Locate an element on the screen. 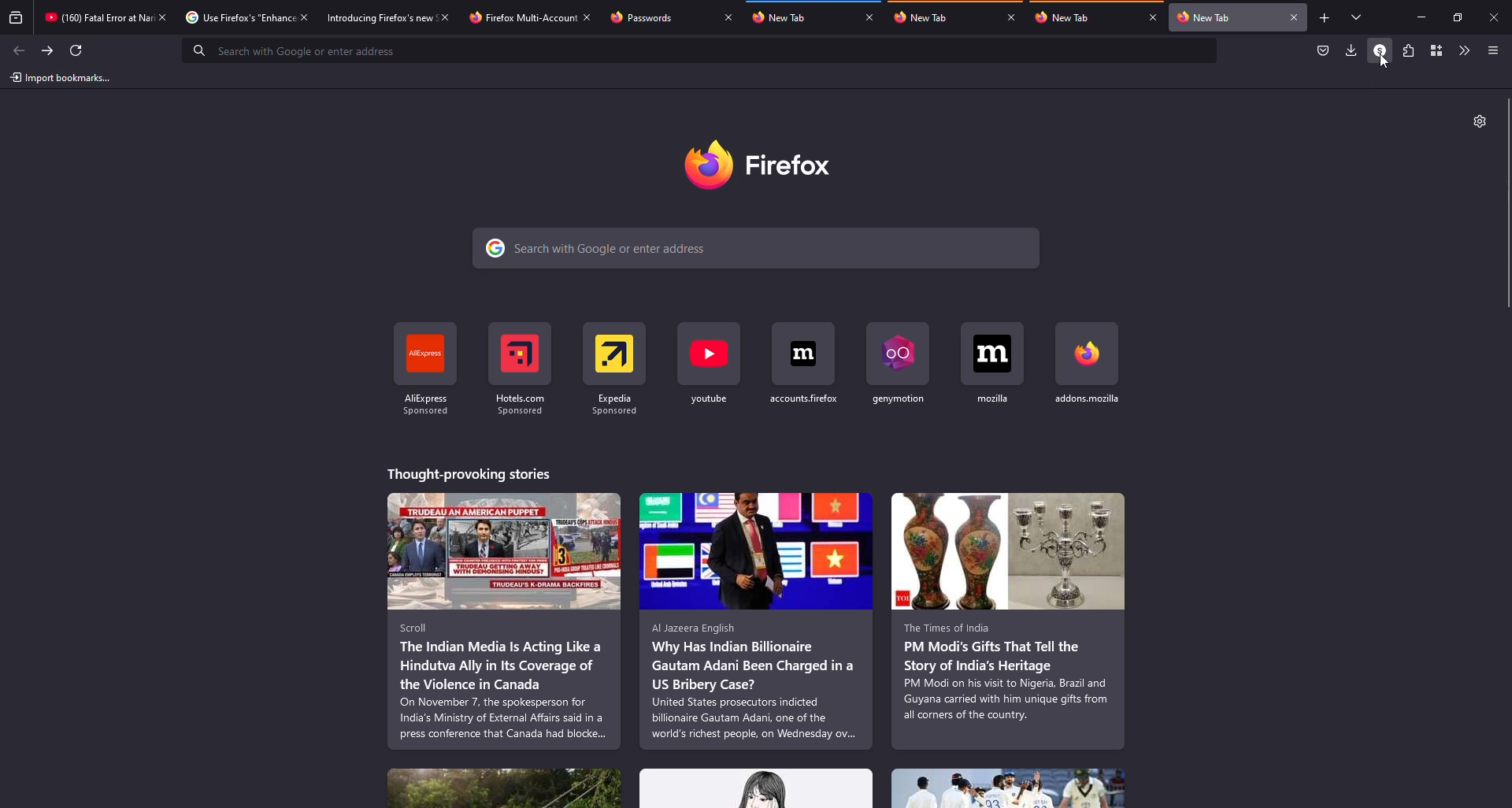  tab is located at coordinates (643, 18).